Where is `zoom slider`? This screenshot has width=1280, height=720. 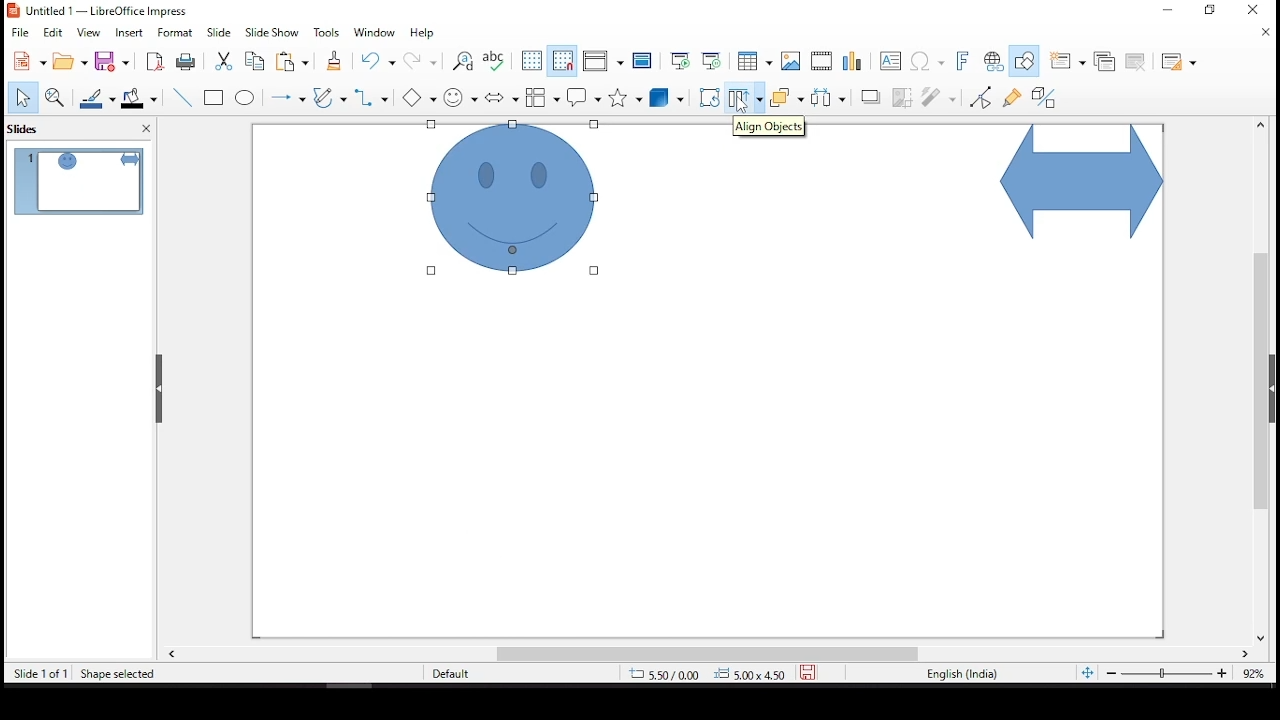
zoom slider is located at coordinates (1165, 675).